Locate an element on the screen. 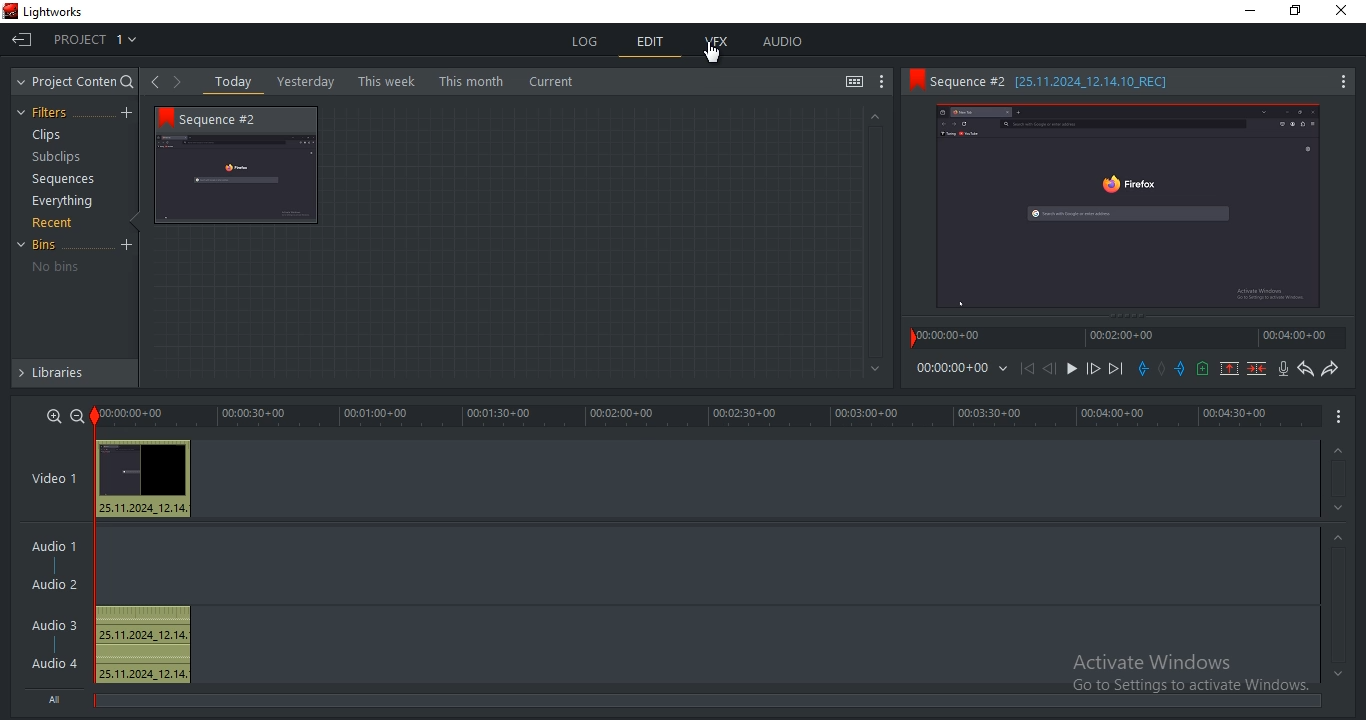 The image size is (1366, 720). sequence information is located at coordinates (1085, 81).